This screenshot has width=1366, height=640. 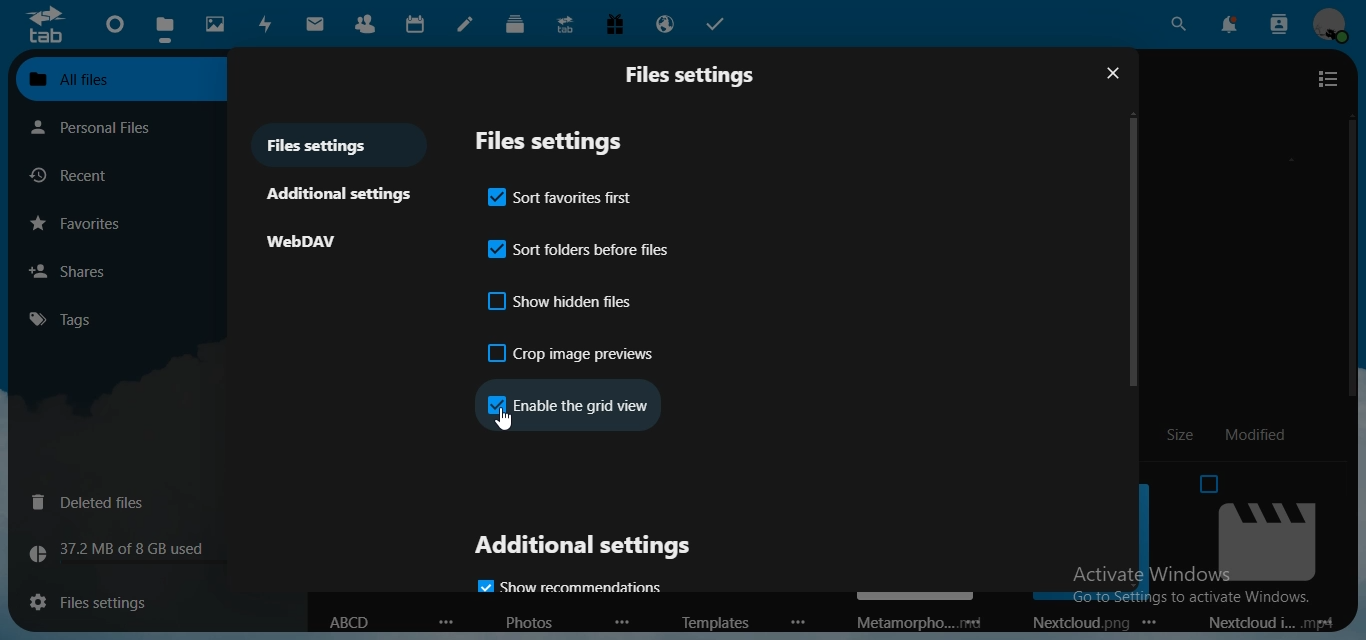 I want to click on sort favorites first, so click(x=563, y=194).